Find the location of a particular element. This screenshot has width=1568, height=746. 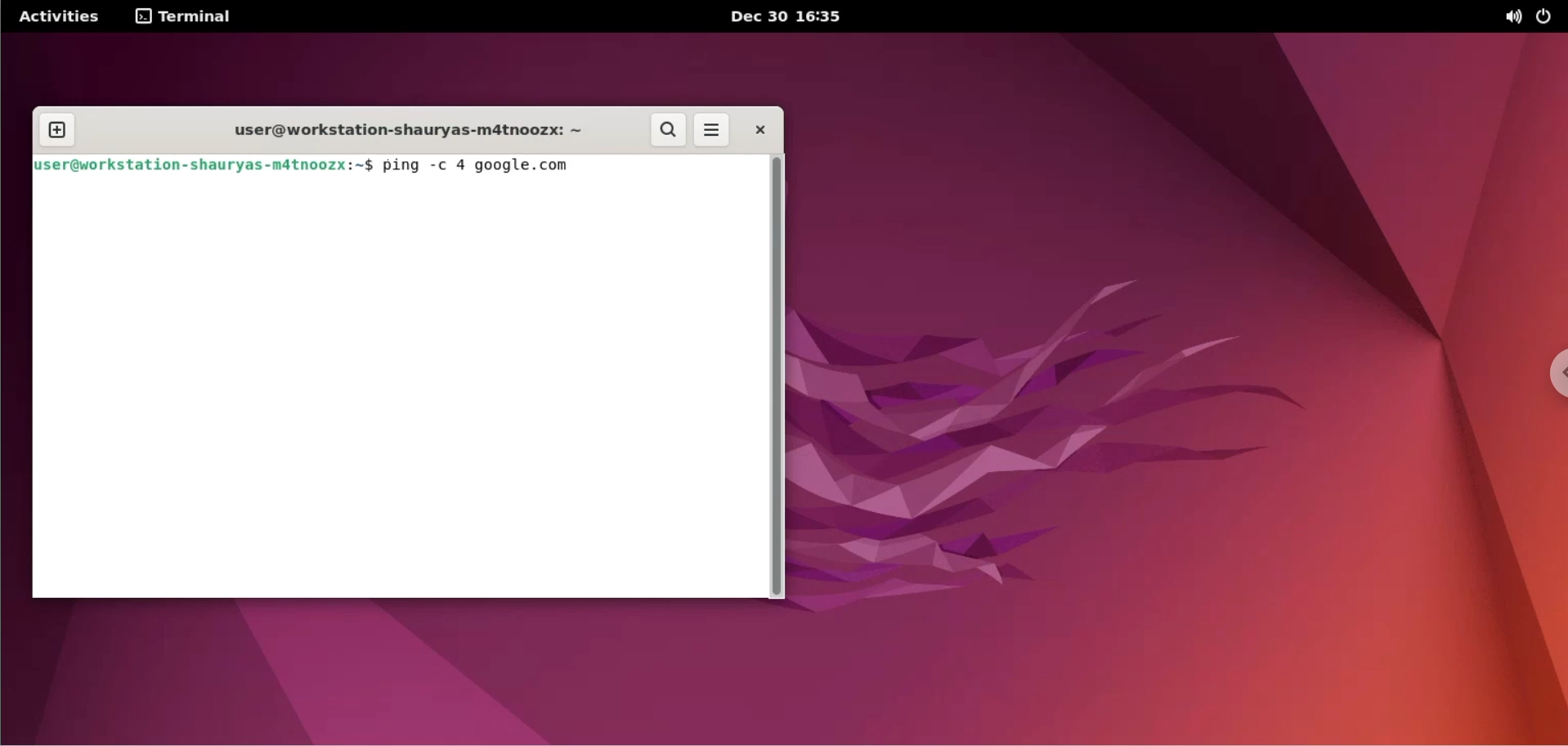

activities is located at coordinates (60, 16).